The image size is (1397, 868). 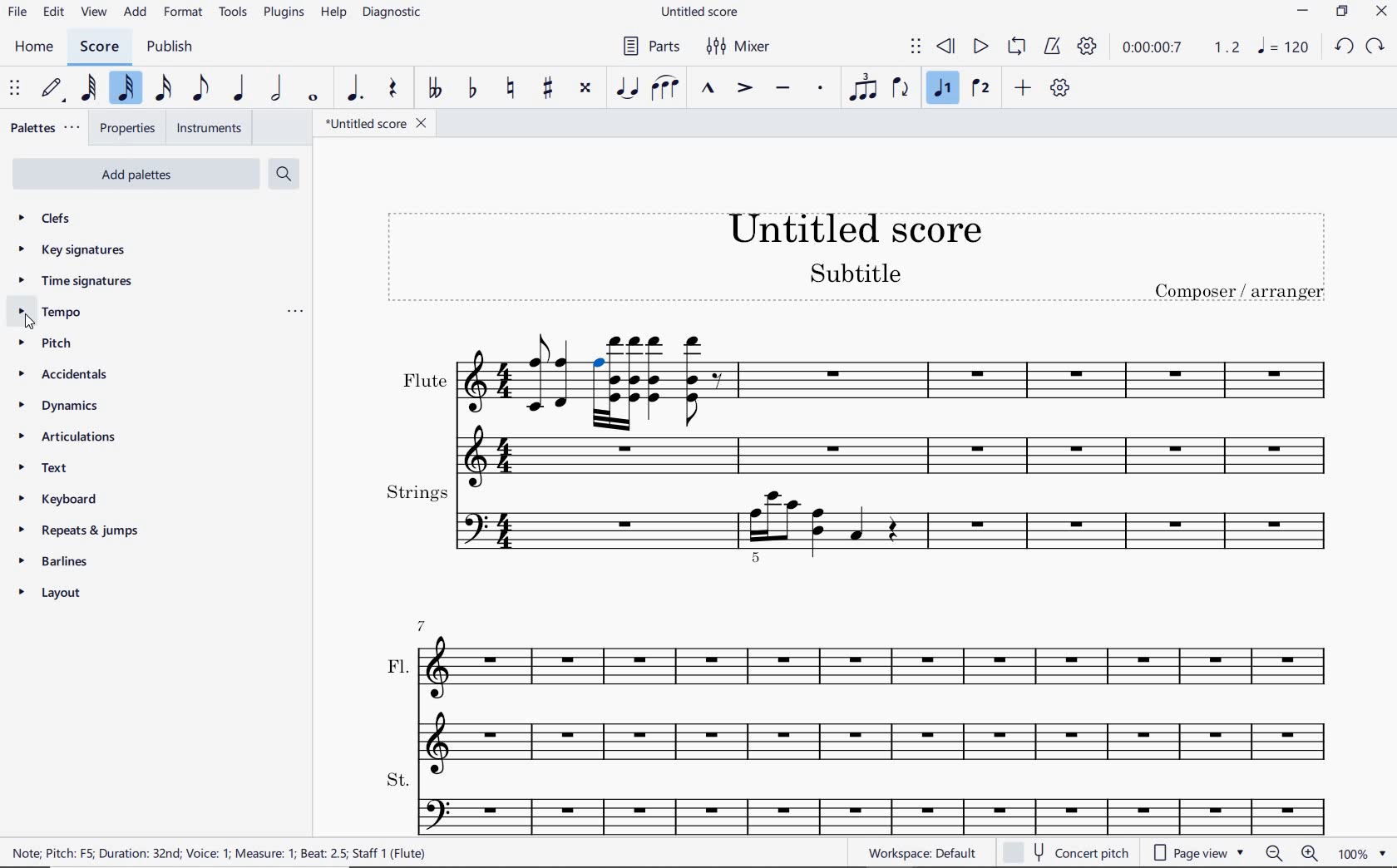 I want to click on SELECT TO MOVE, so click(x=17, y=89).